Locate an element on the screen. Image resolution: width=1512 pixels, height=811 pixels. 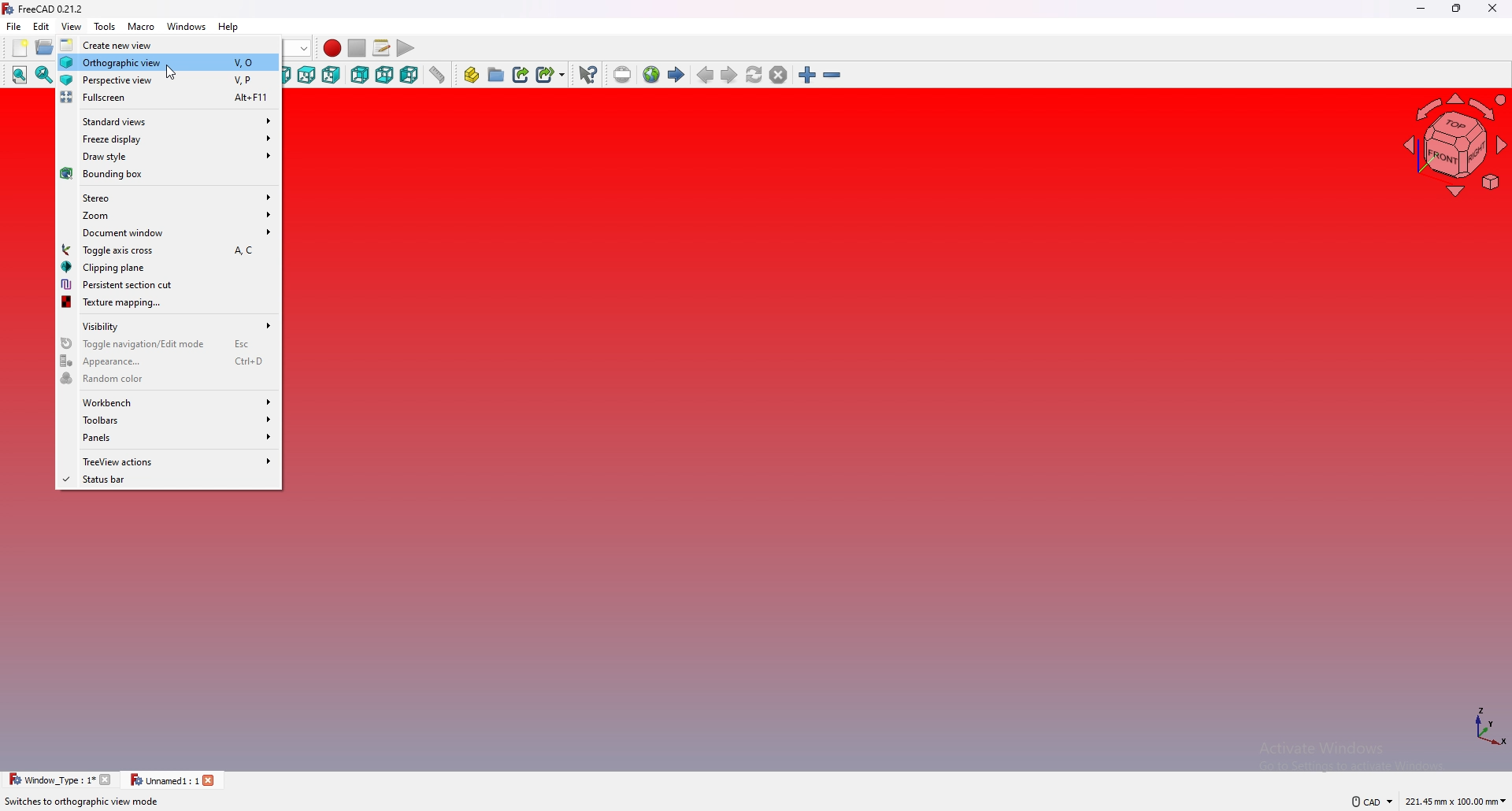
edit is located at coordinates (42, 26).